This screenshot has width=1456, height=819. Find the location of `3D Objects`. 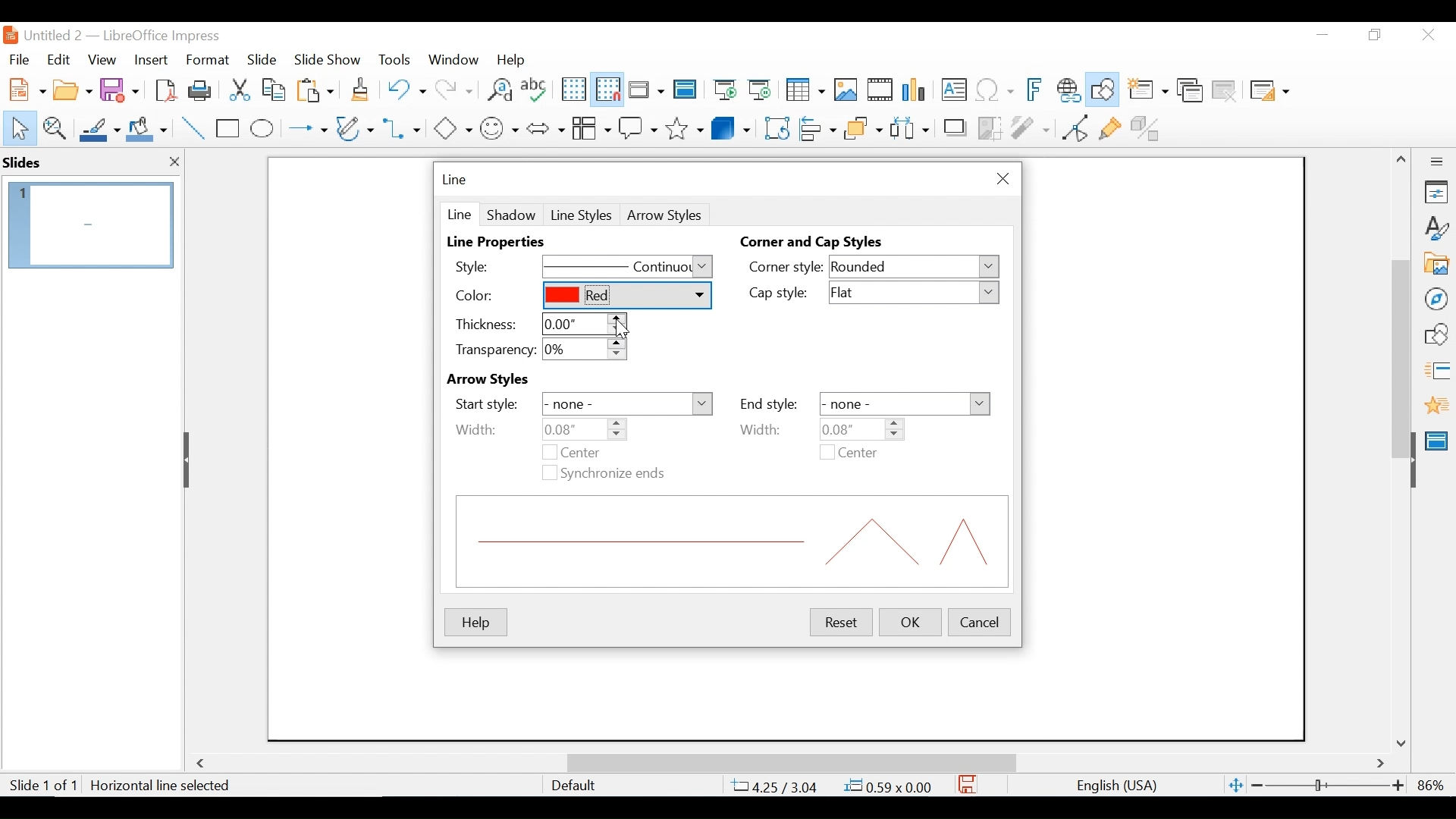

3D Objects is located at coordinates (731, 127).